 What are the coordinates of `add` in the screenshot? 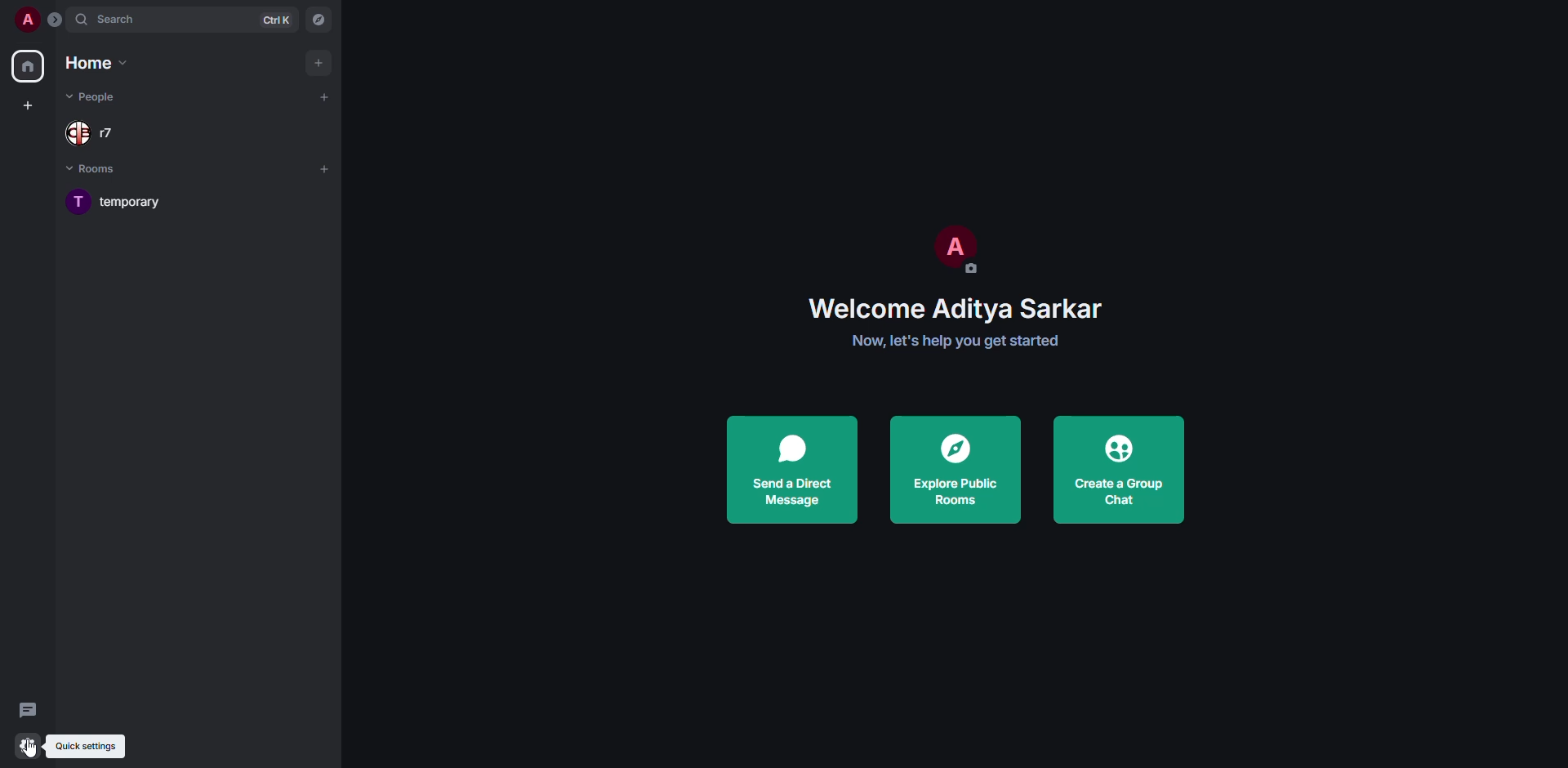 It's located at (325, 96).